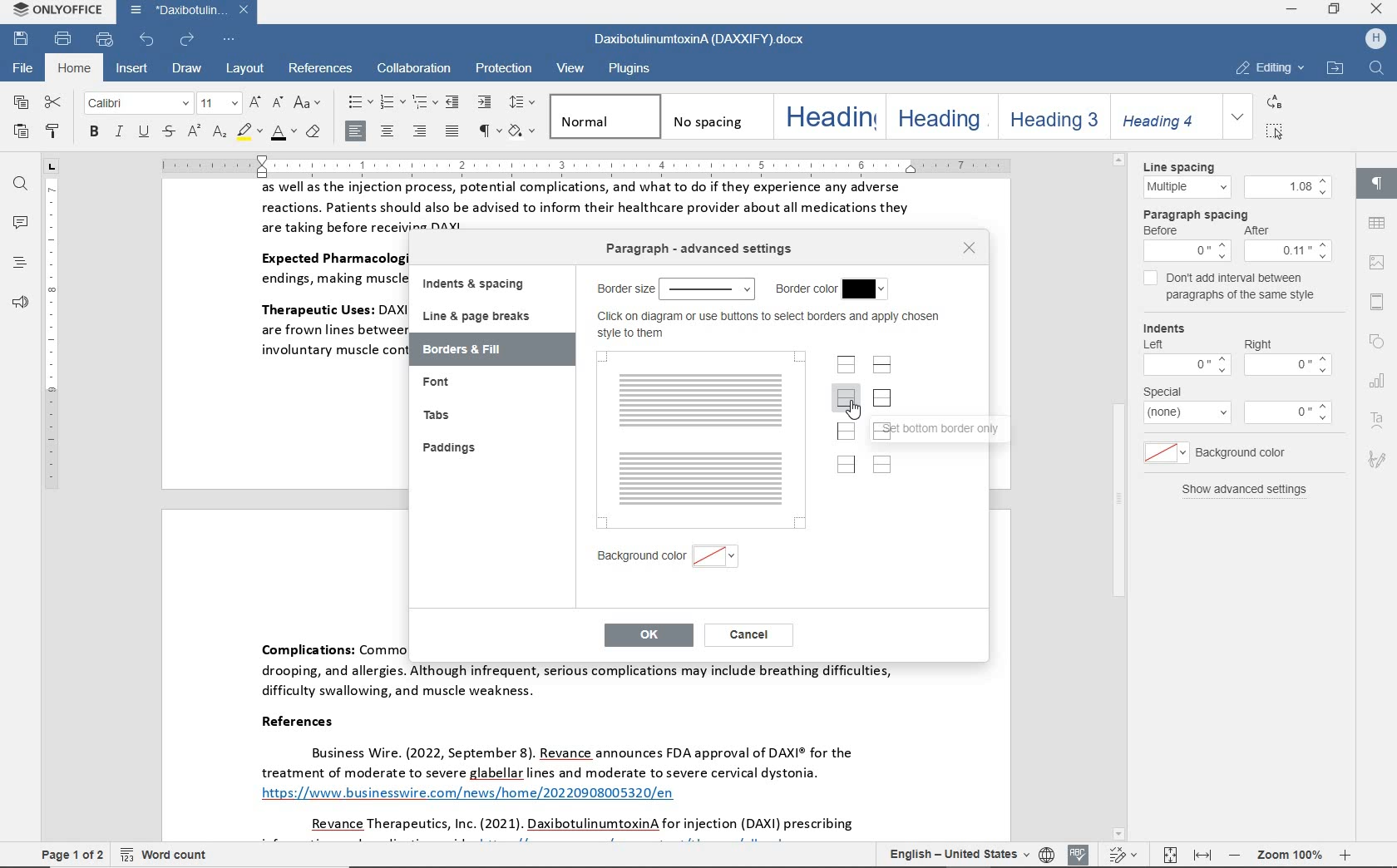 Image resolution: width=1397 pixels, height=868 pixels. I want to click on copy, so click(22, 104).